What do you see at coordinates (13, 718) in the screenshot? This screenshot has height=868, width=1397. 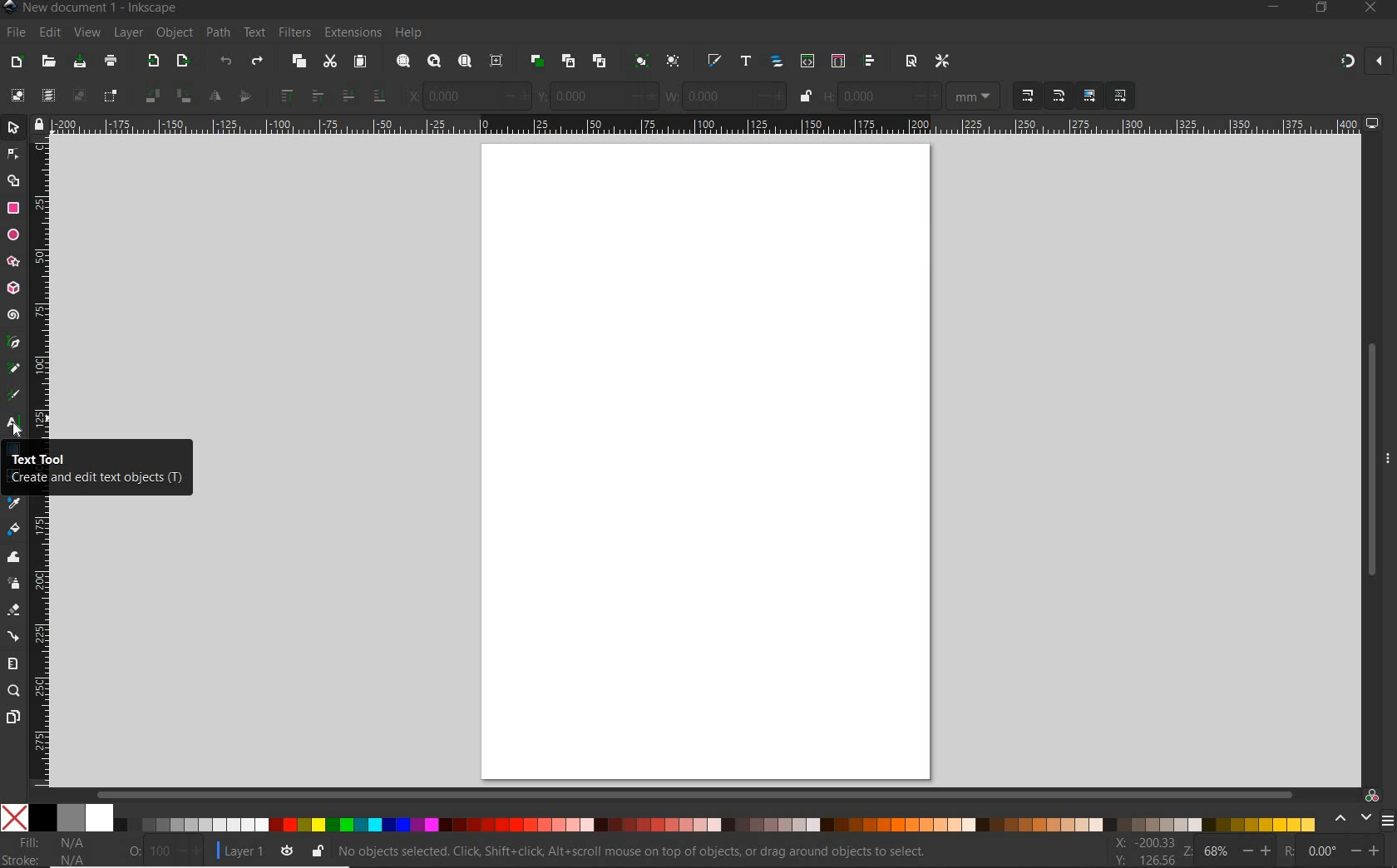 I see `pages tool` at bounding box center [13, 718].